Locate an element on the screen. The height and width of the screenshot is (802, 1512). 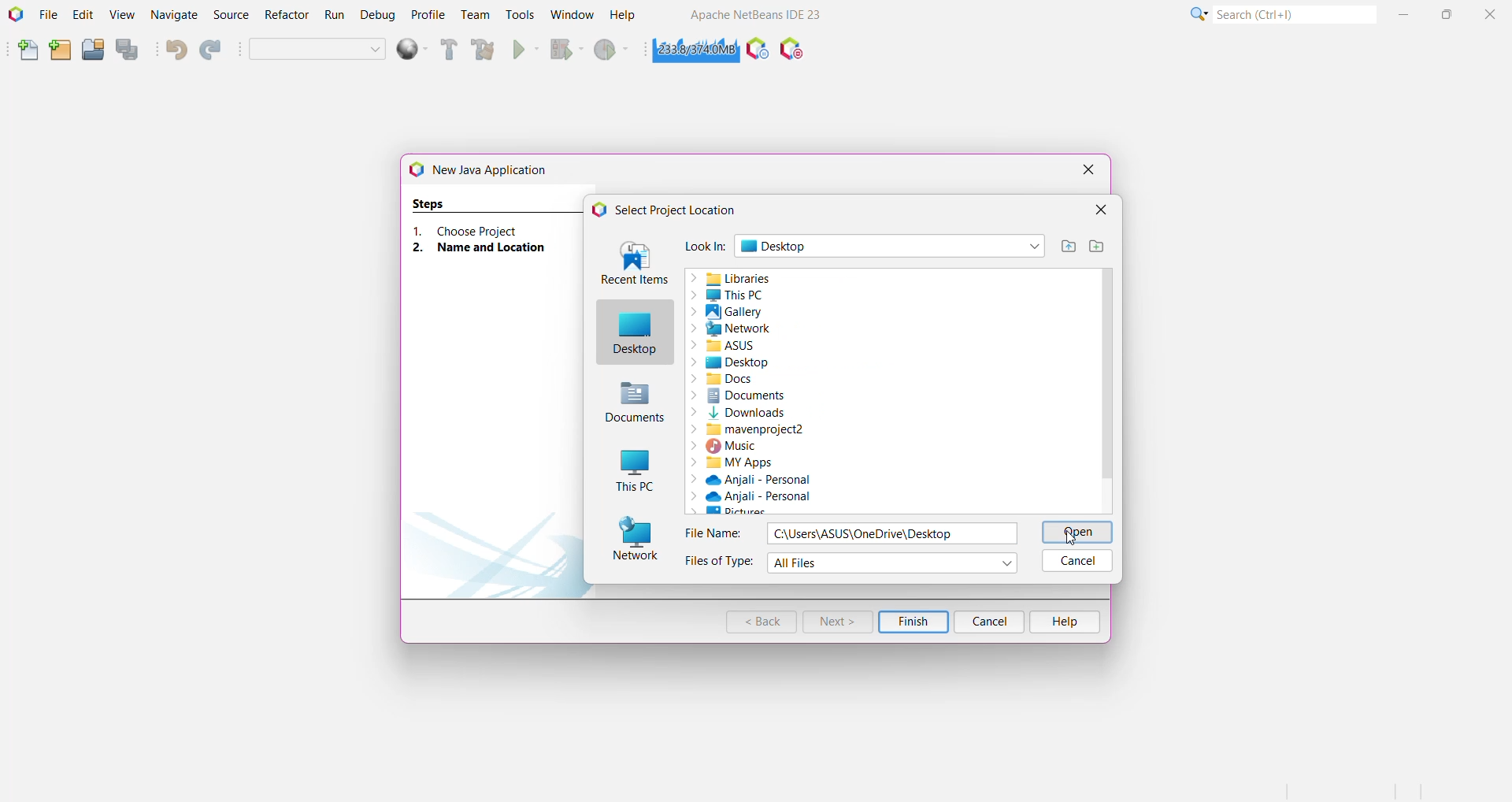
Close is located at coordinates (1489, 16).